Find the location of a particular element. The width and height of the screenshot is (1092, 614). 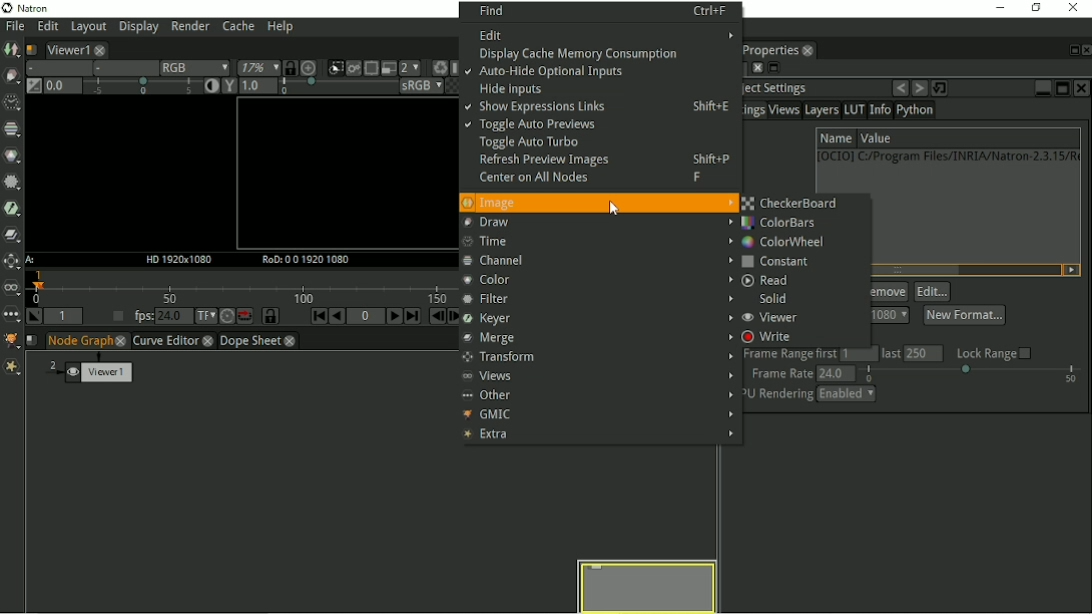

Restore default value is located at coordinates (942, 87).